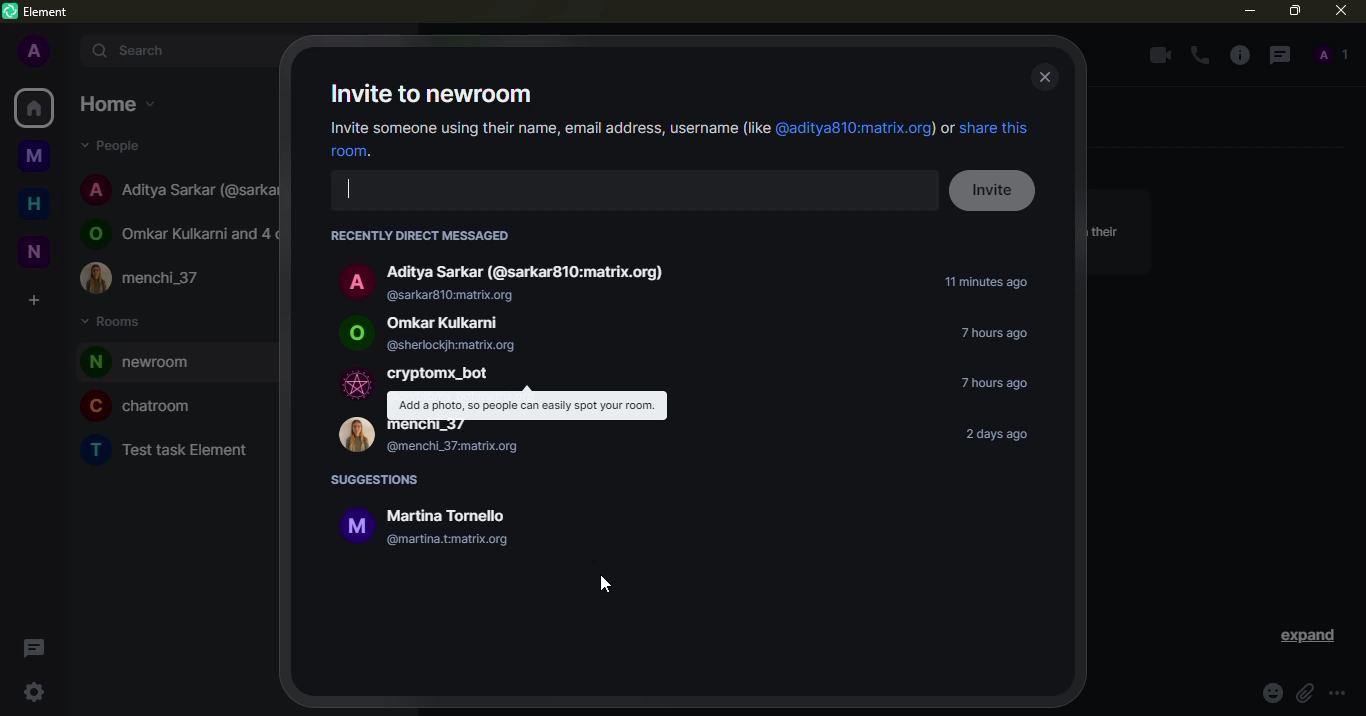  What do you see at coordinates (430, 438) in the screenshot?
I see `menchi_37 @menchi_37matrix.org` at bounding box center [430, 438].